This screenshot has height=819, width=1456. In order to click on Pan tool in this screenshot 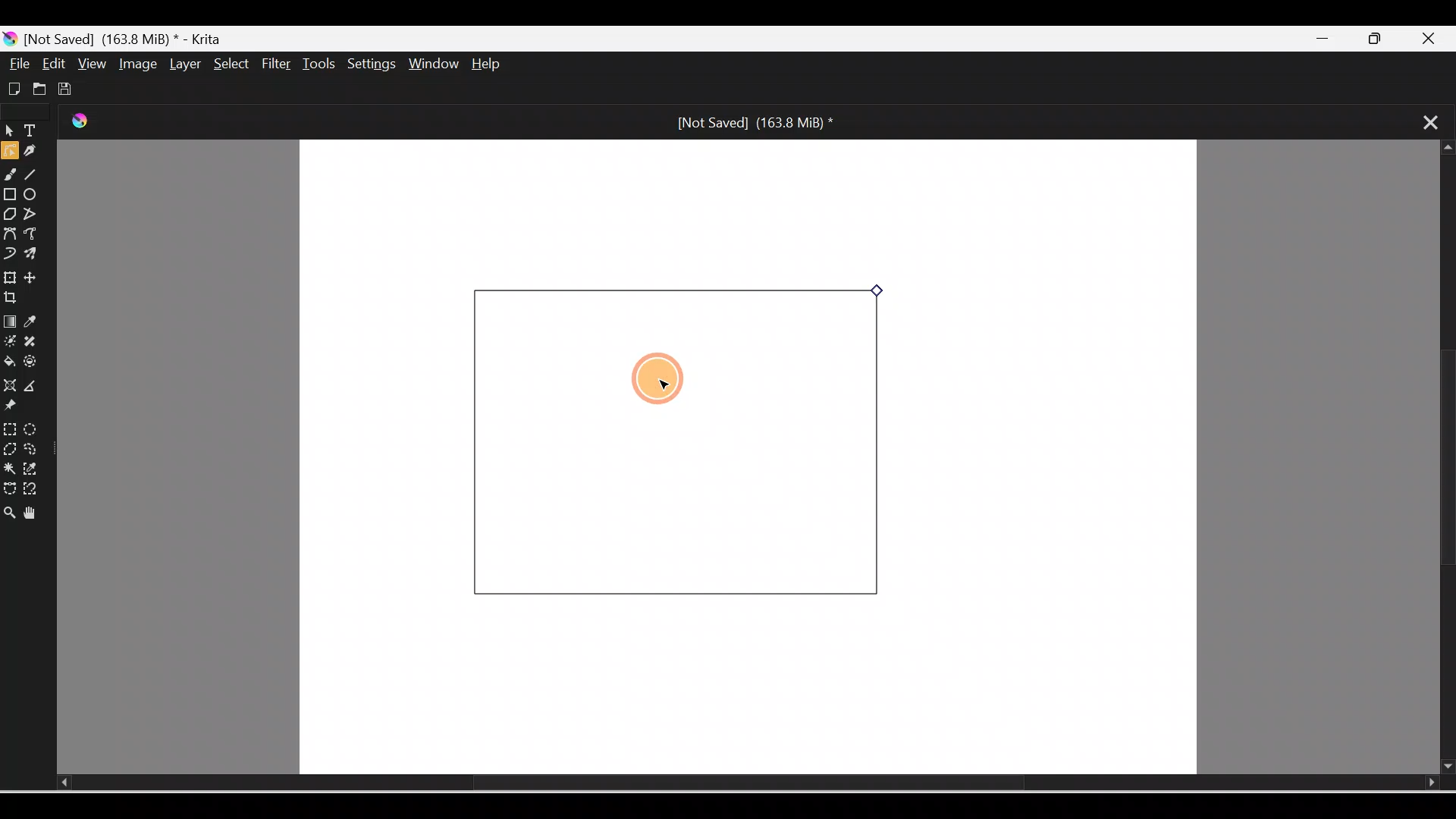, I will do `click(33, 510)`.